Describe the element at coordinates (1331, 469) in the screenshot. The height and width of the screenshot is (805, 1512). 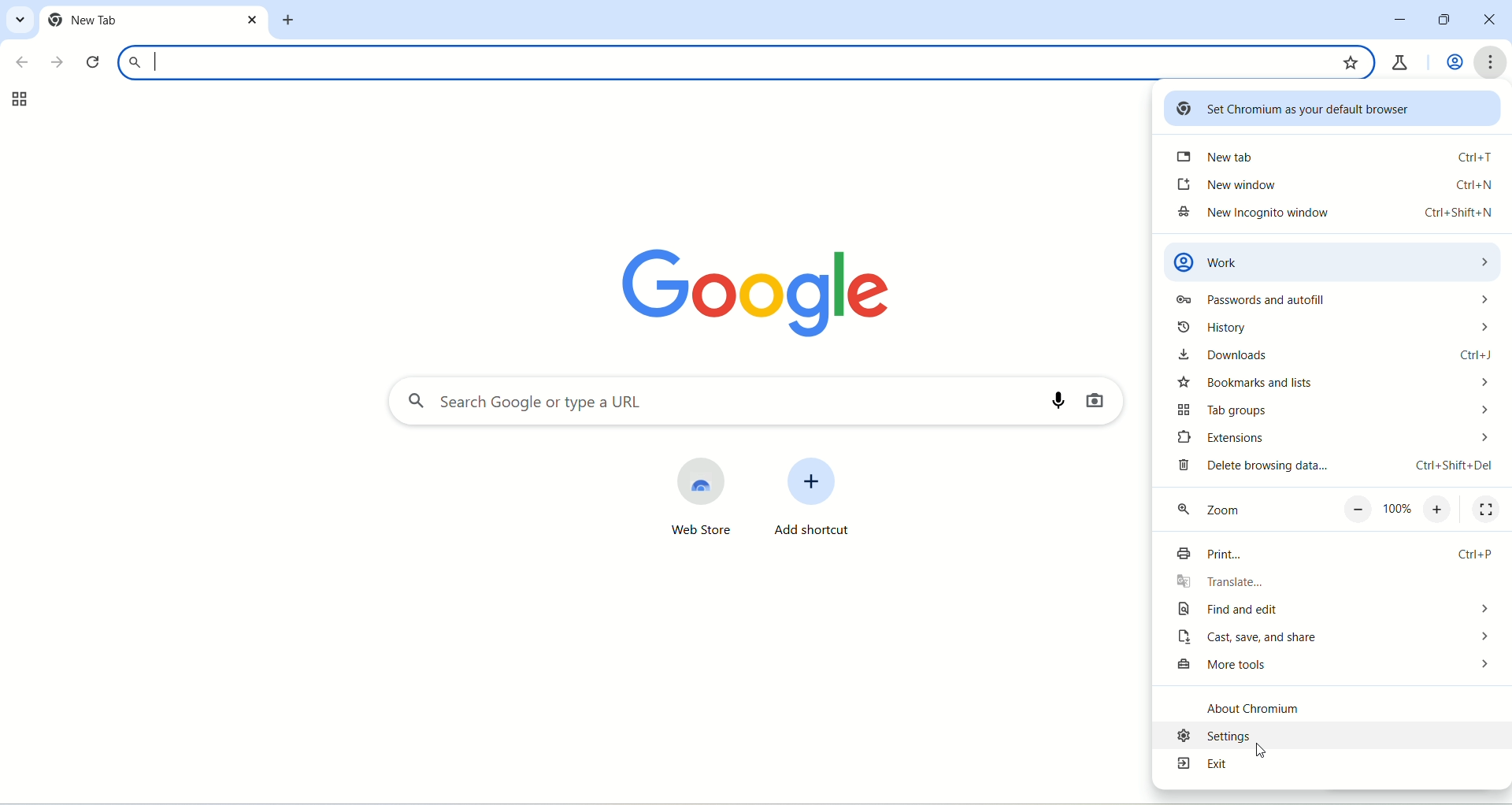
I see `delete browsing data ctrl+shift+del` at that location.